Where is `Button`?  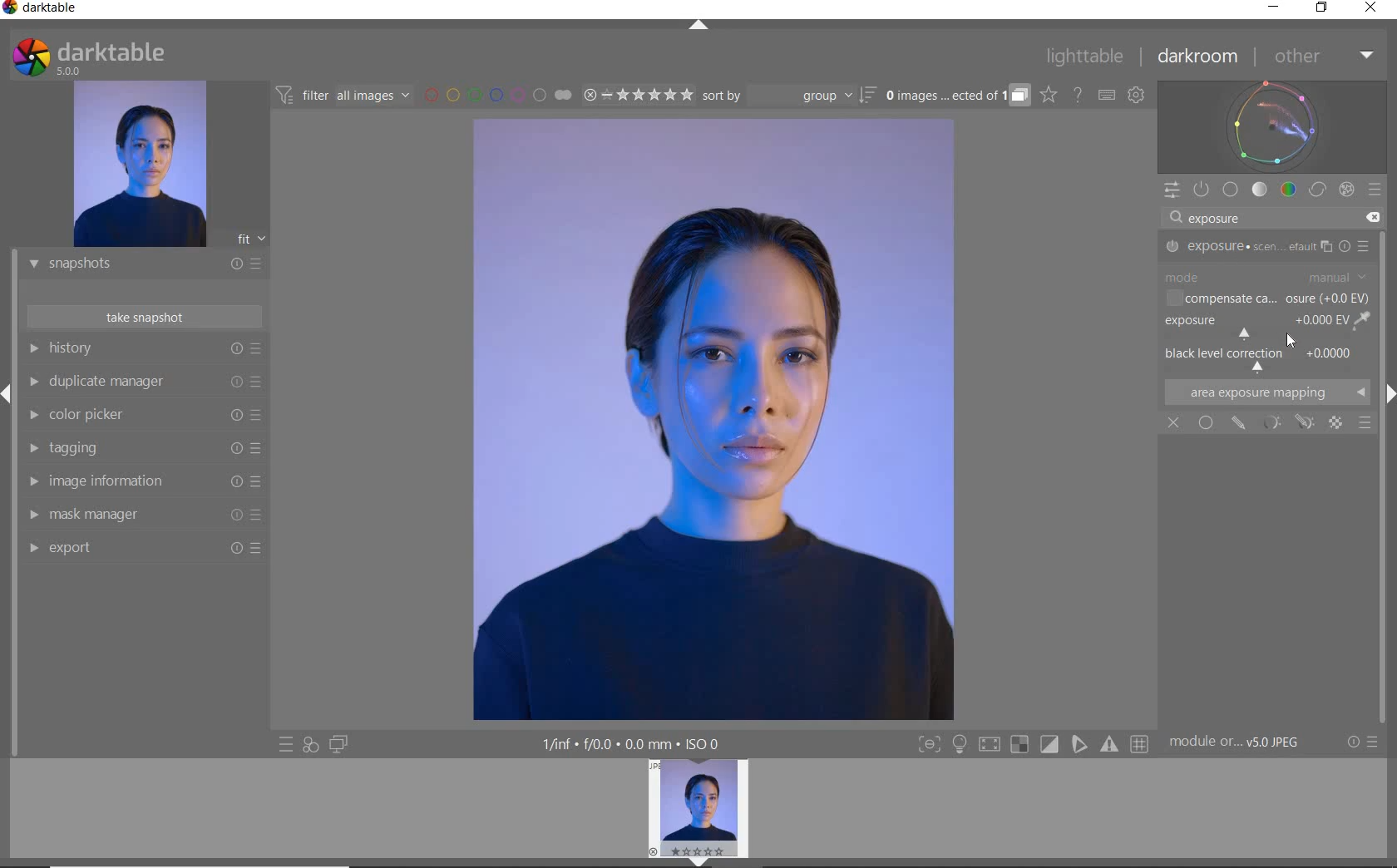
Button is located at coordinates (989, 747).